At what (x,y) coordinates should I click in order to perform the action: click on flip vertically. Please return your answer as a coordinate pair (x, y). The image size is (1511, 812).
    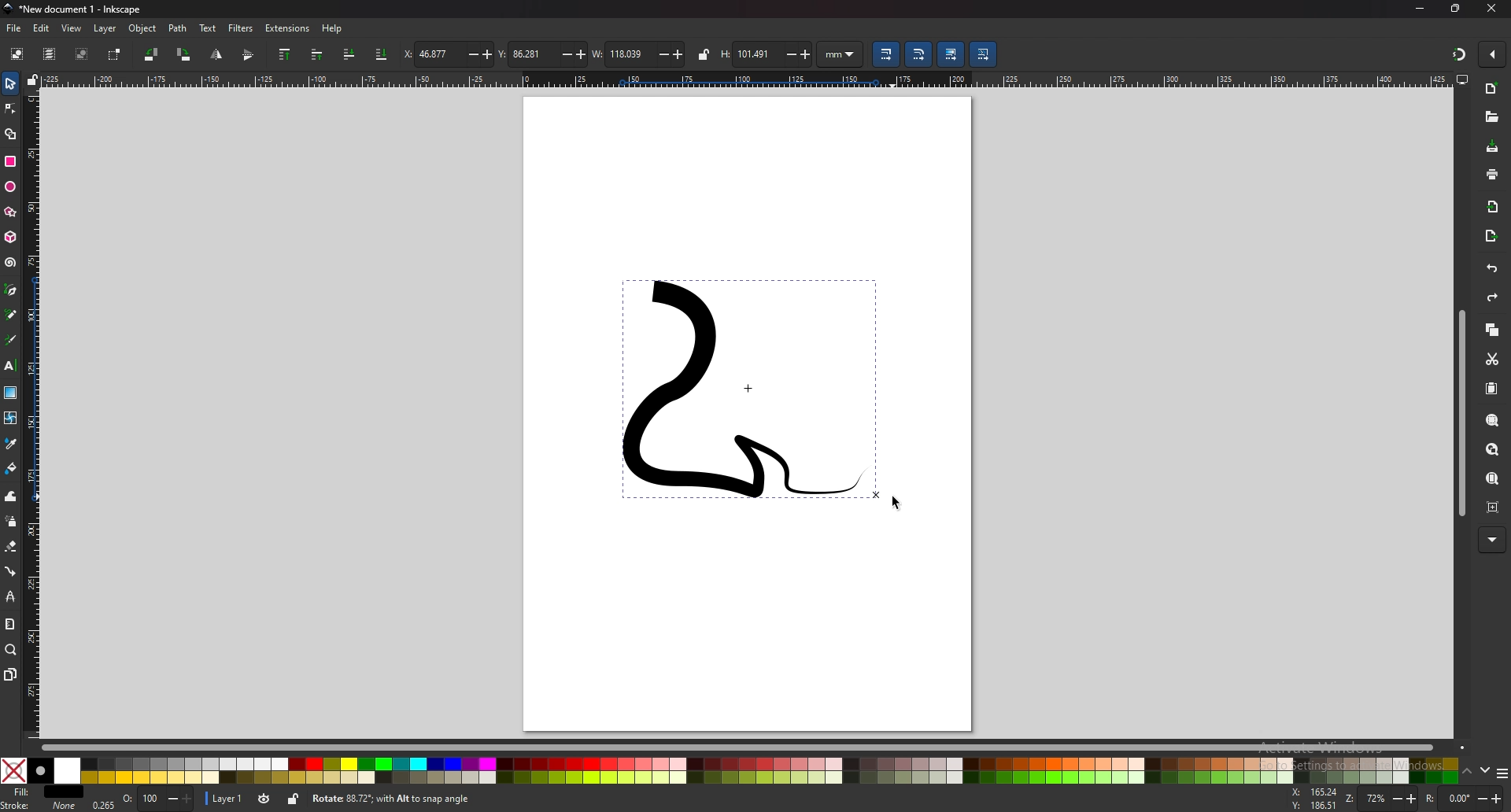
    Looking at the image, I should click on (216, 55).